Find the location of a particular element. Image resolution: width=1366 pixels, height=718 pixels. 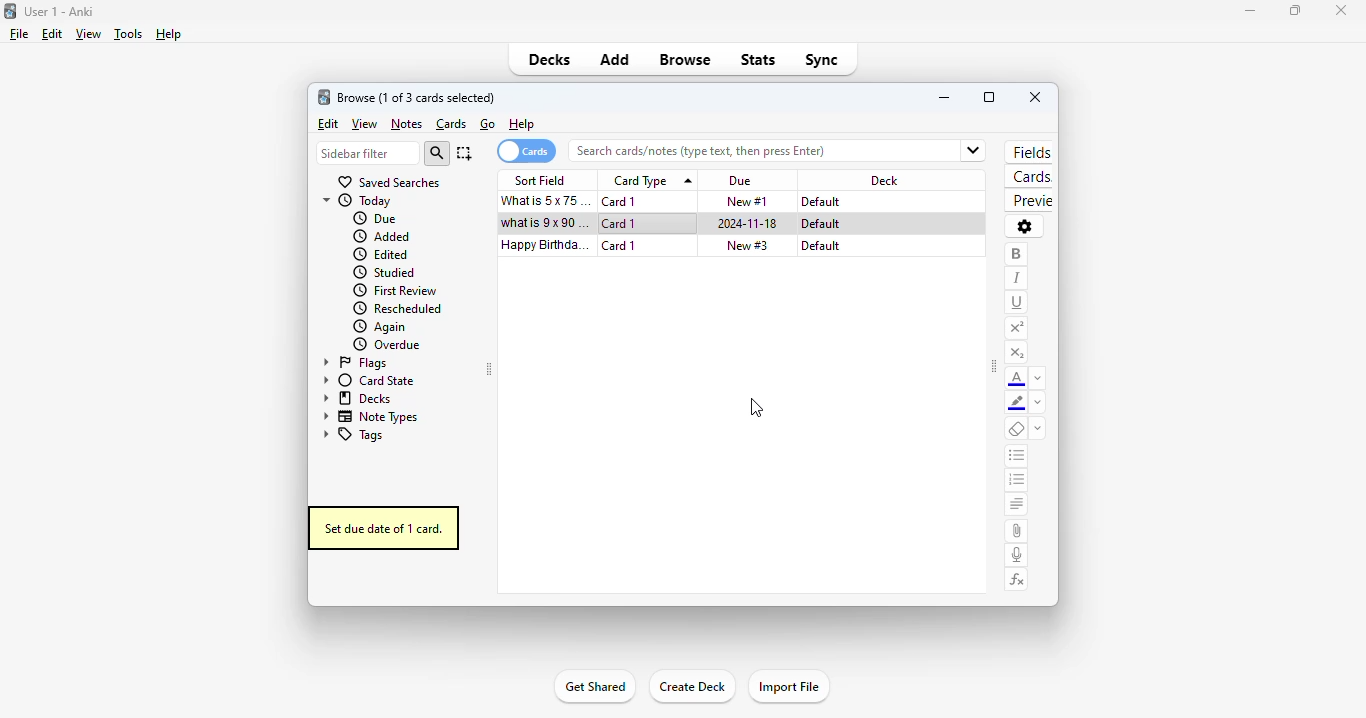

bold is located at coordinates (1015, 255).